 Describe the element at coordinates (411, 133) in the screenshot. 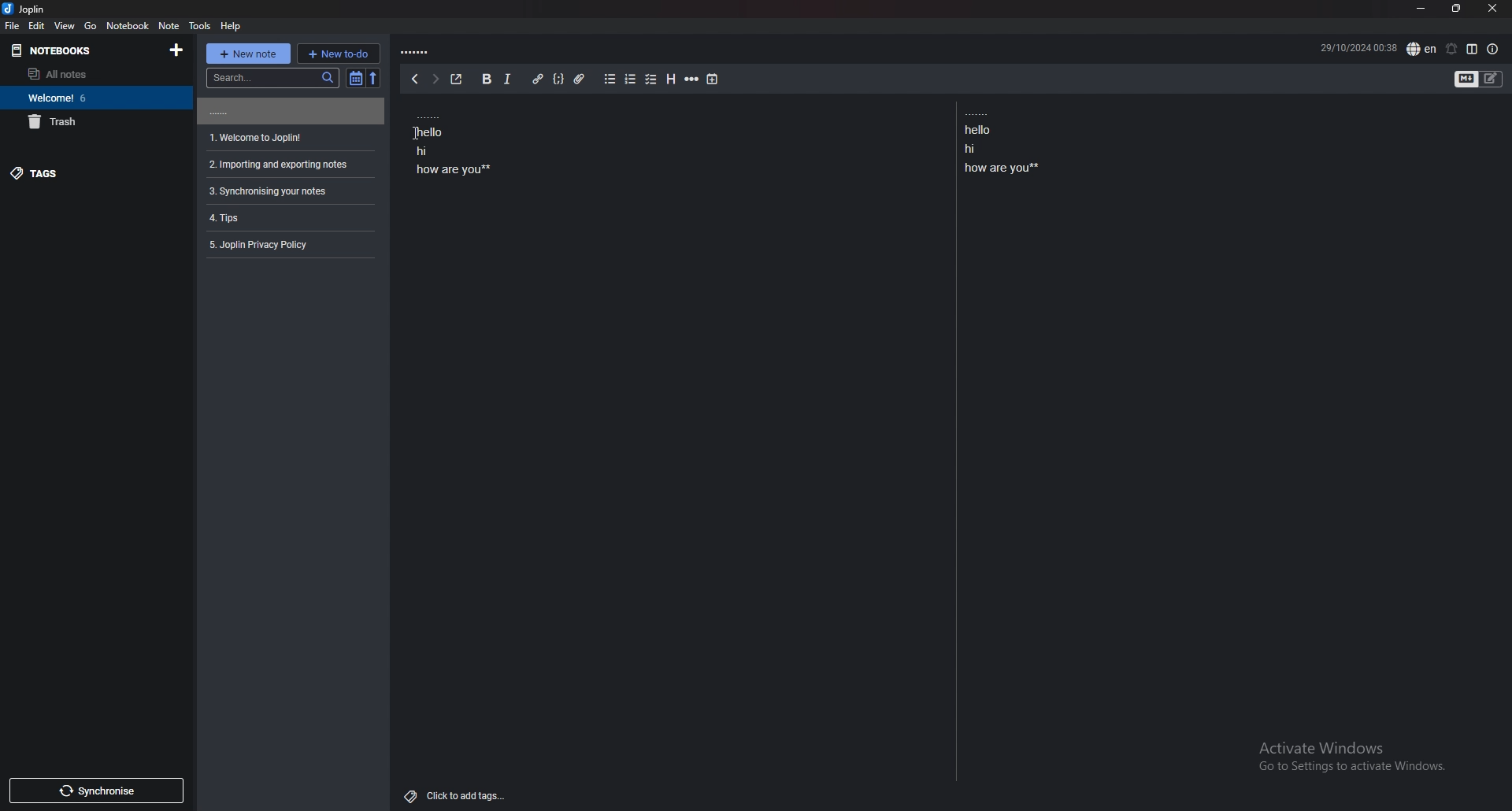

I see `` at that location.